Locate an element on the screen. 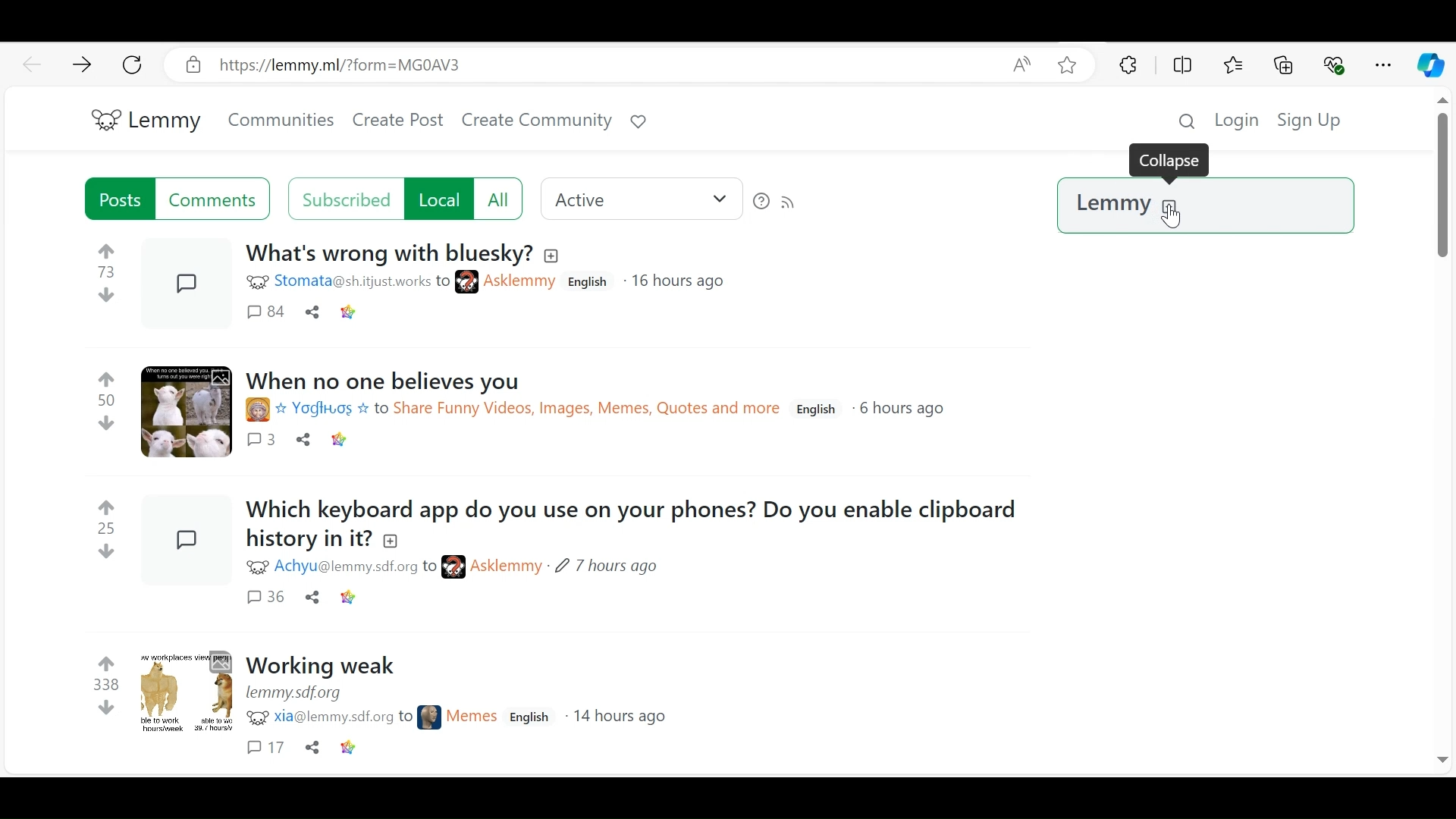  Donate is located at coordinates (638, 124).